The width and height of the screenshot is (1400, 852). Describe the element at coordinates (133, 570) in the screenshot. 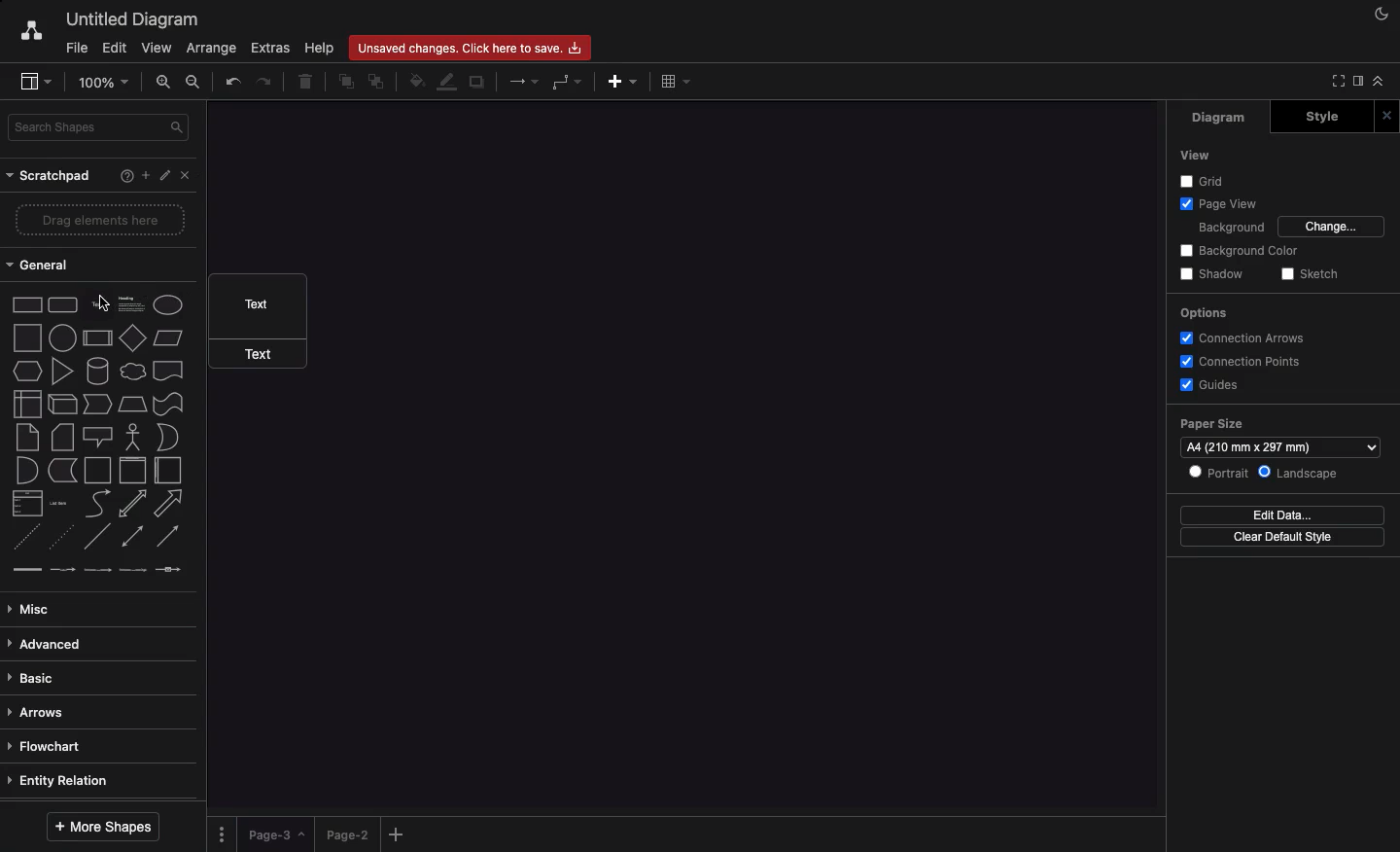

I see `connector with 3 labels` at that location.